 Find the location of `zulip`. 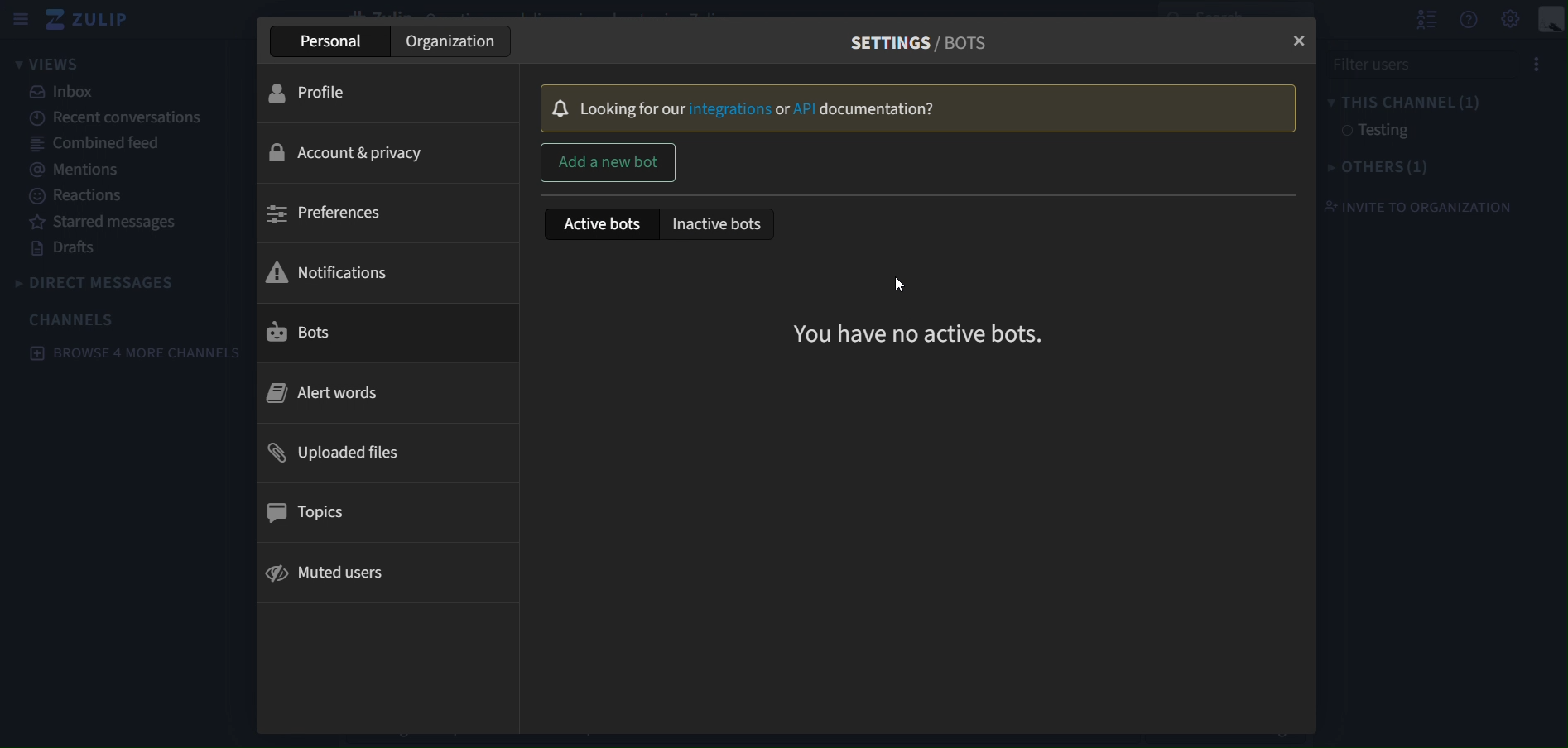

zulip is located at coordinates (89, 18).